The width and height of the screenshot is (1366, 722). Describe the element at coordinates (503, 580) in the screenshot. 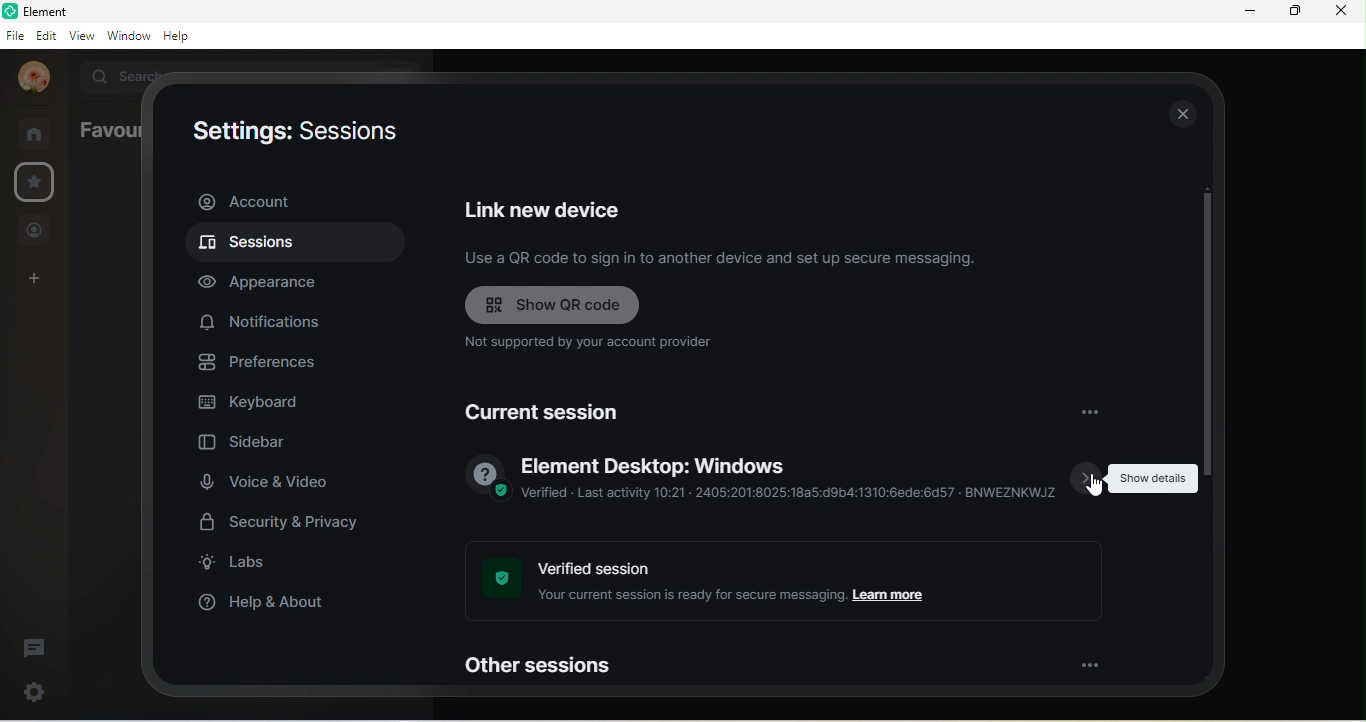

I see `verified image` at that location.